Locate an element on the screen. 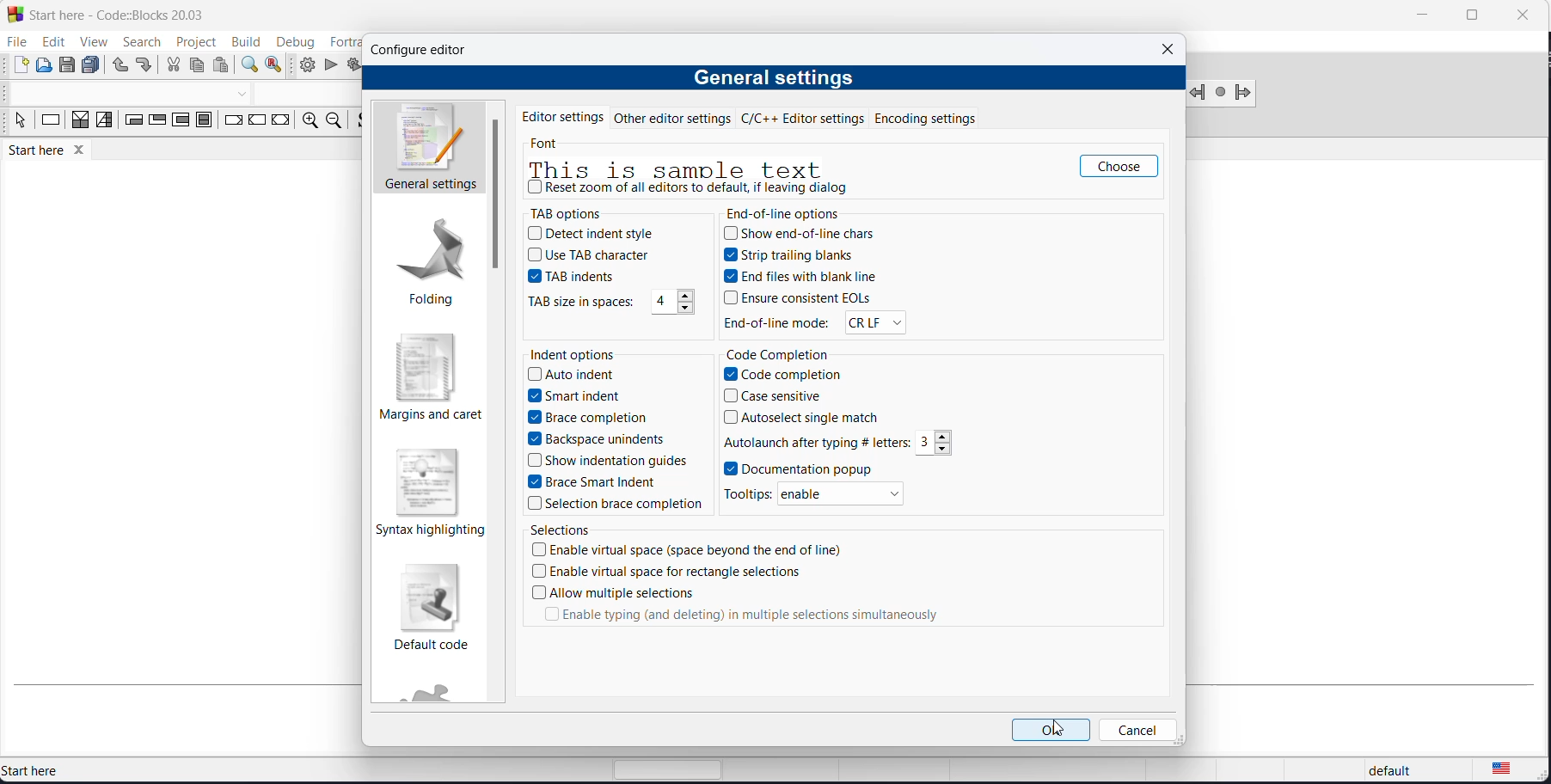  start here tab is located at coordinates (58, 153).